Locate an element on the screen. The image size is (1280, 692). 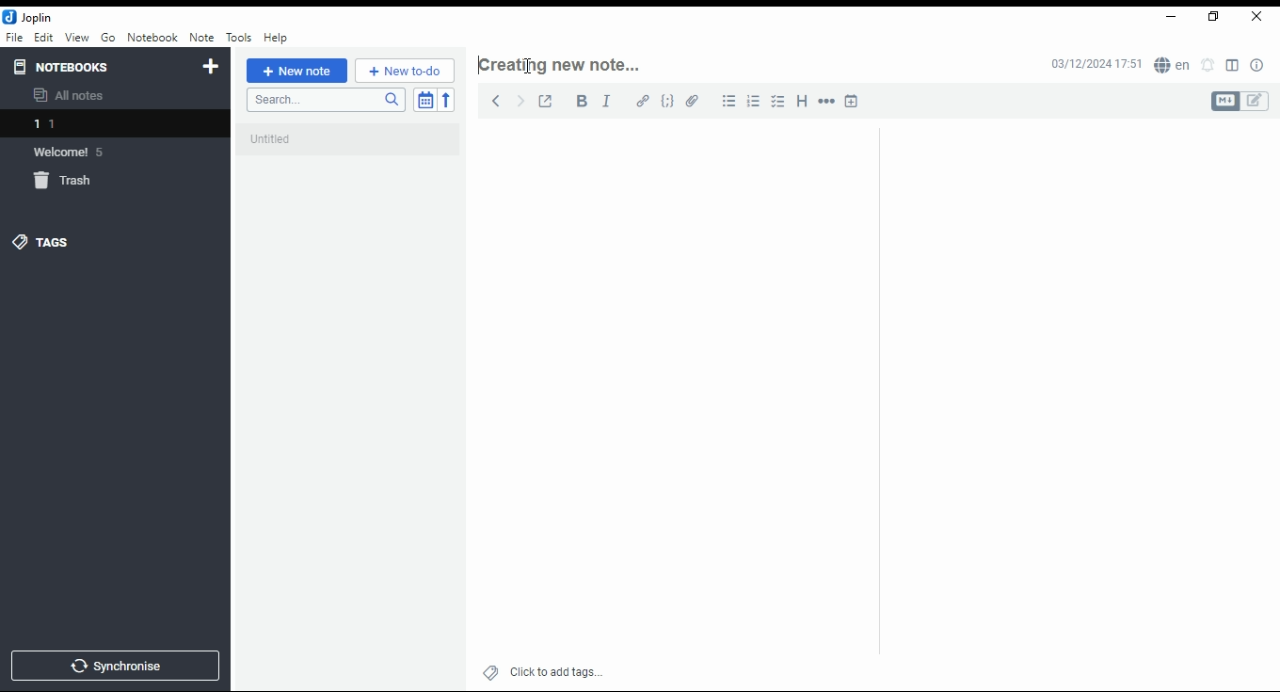
close  is located at coordinates (1257, 18).